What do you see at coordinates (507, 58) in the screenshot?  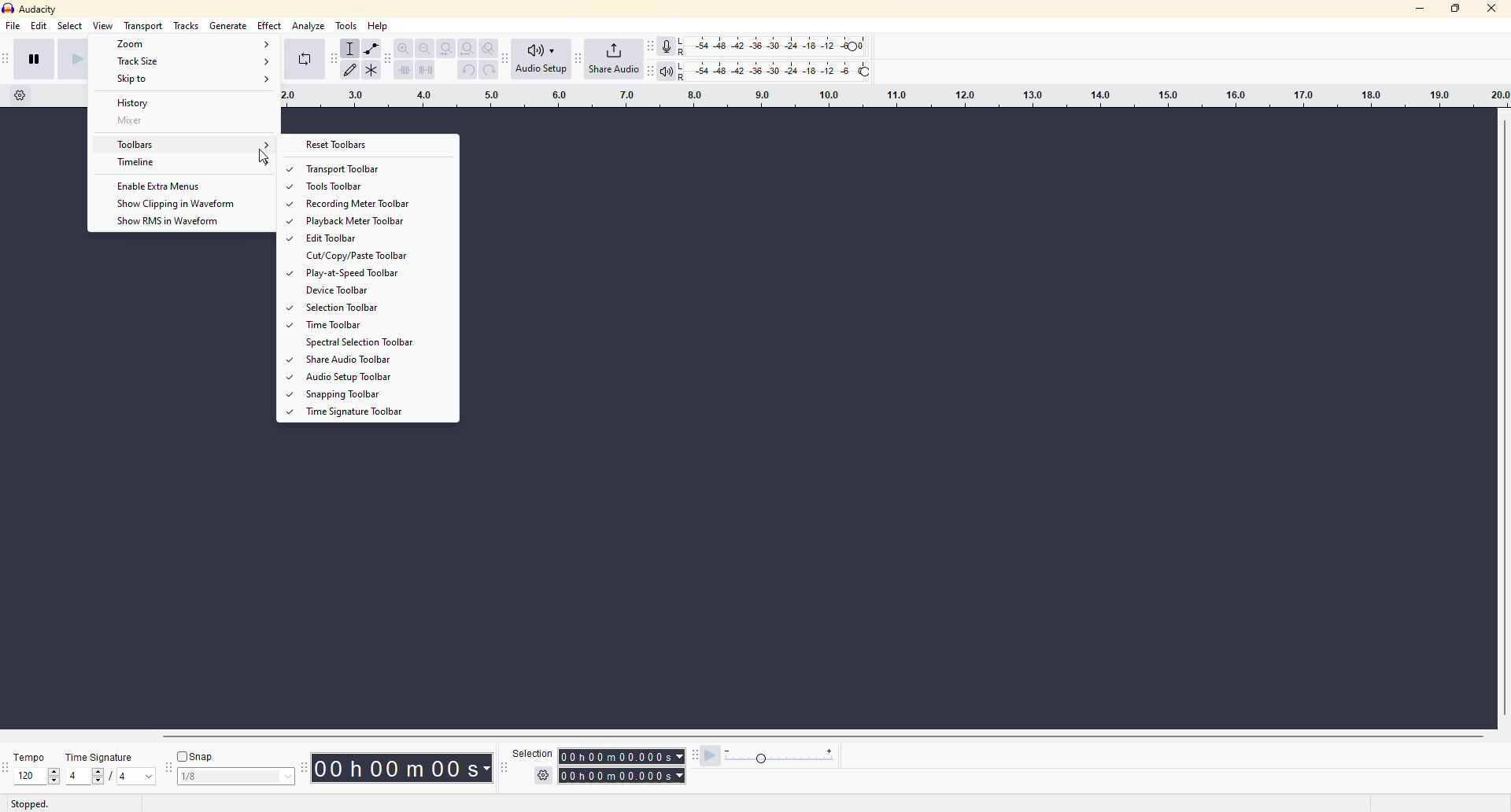 I see `audacity audio setup toolbar` at bounding box center [507, 58].